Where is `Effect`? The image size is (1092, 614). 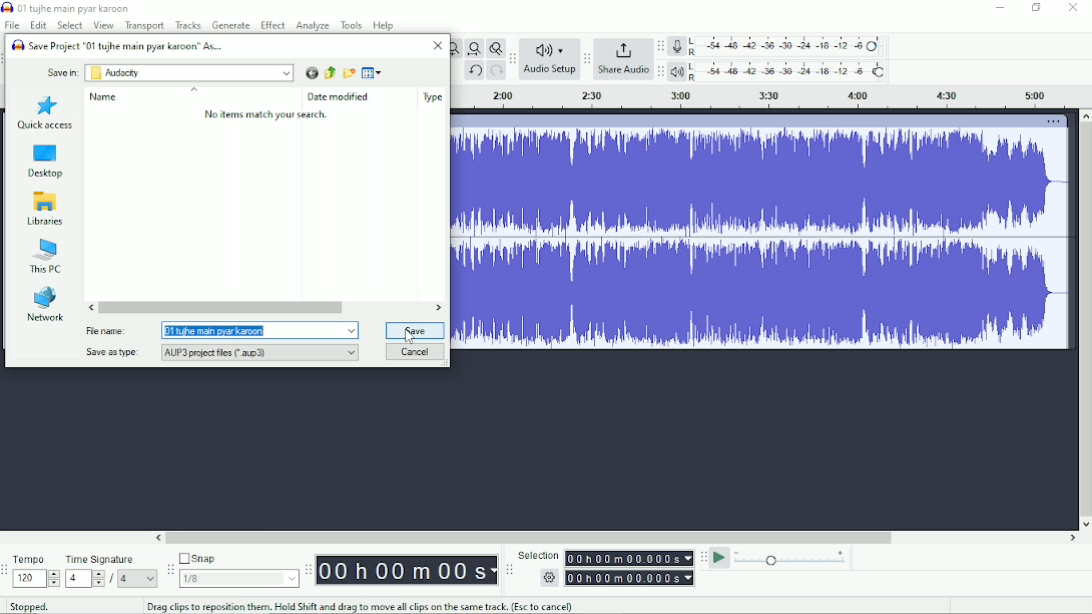 Effect is located at coordinates (273, 25).